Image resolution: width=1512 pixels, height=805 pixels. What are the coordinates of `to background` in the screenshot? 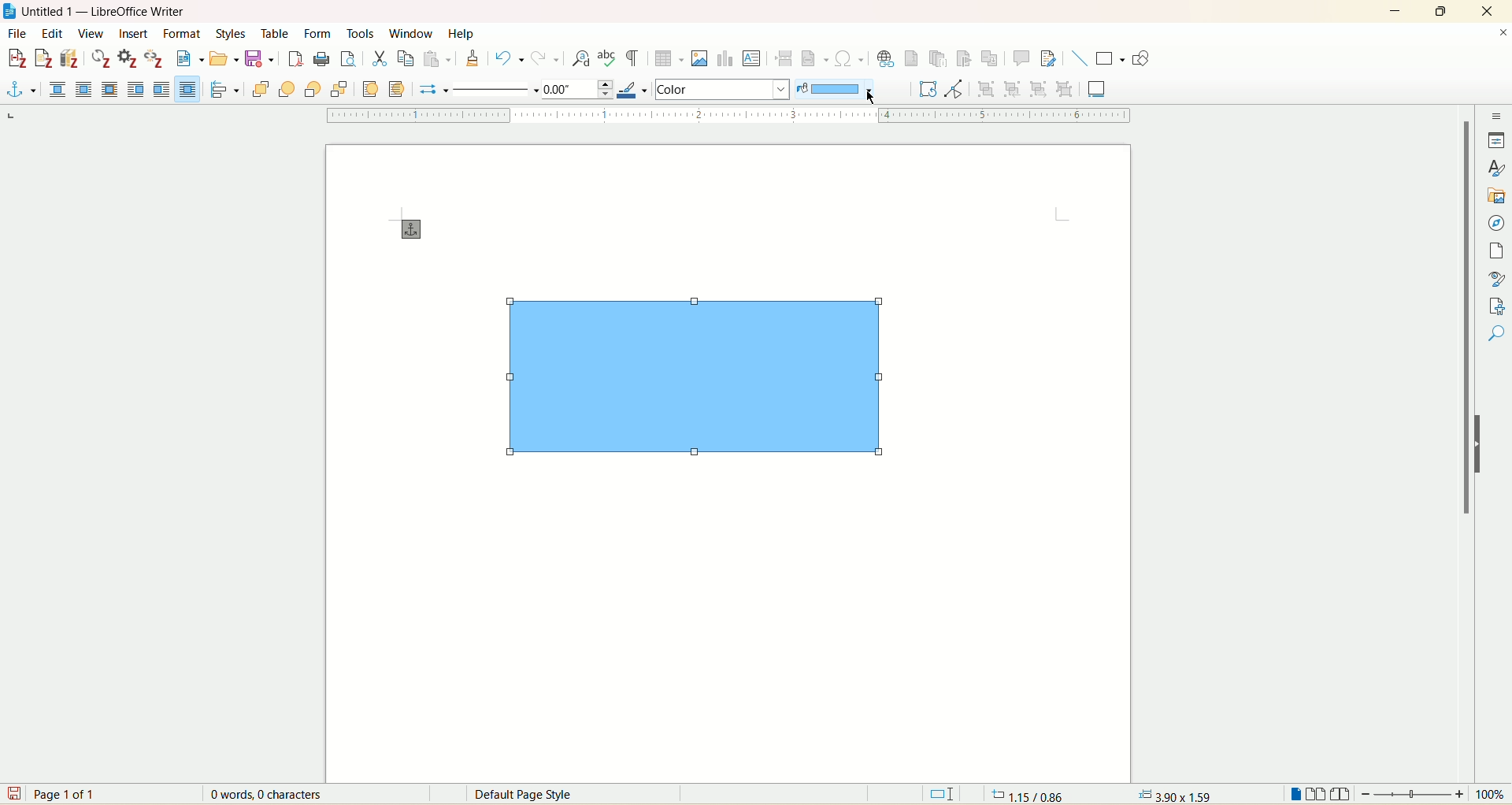 It's located at (399, 89).